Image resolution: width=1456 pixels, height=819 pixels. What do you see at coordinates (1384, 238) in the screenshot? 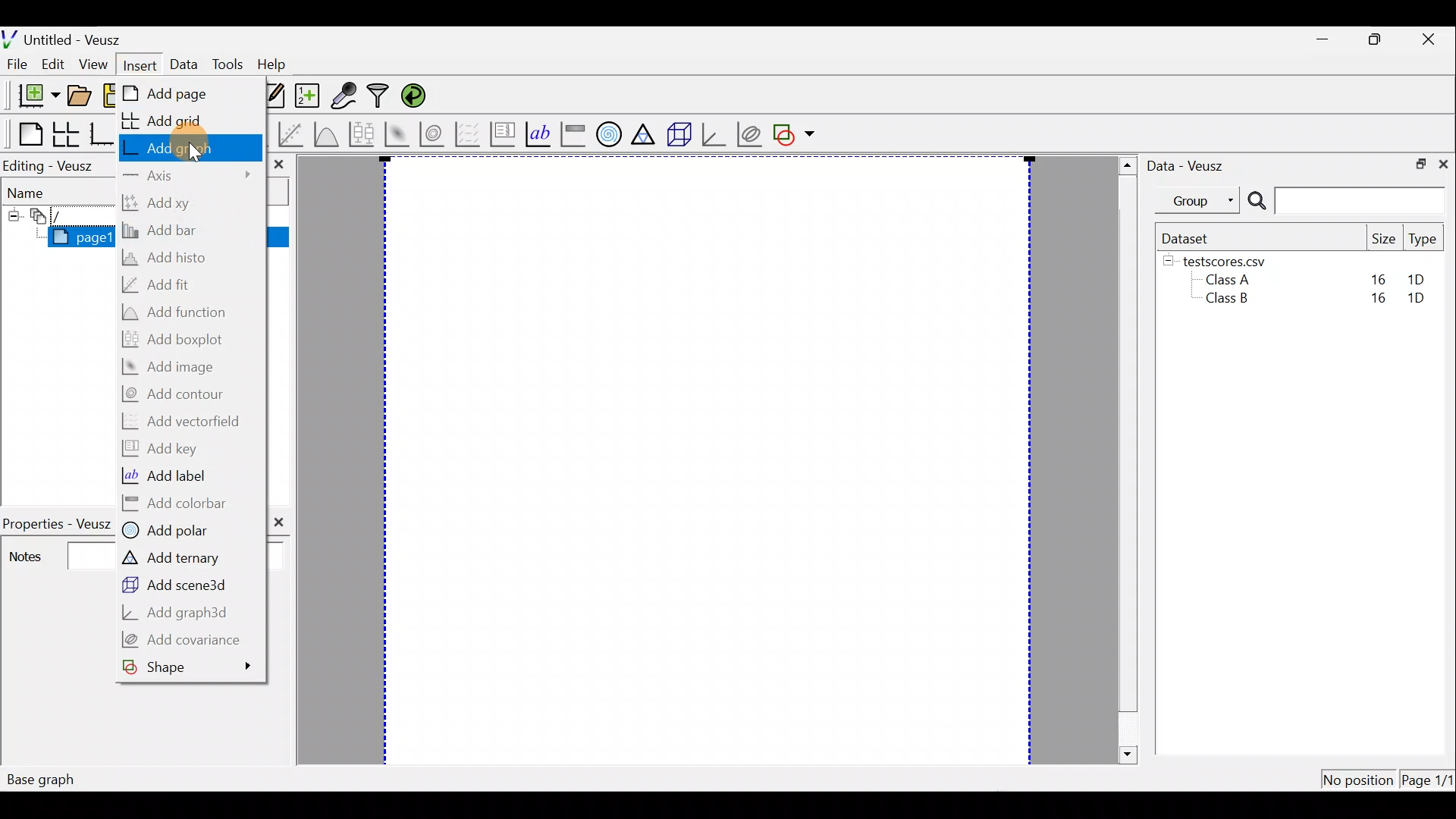
I see `Size` at bounding box center [1384, 238].